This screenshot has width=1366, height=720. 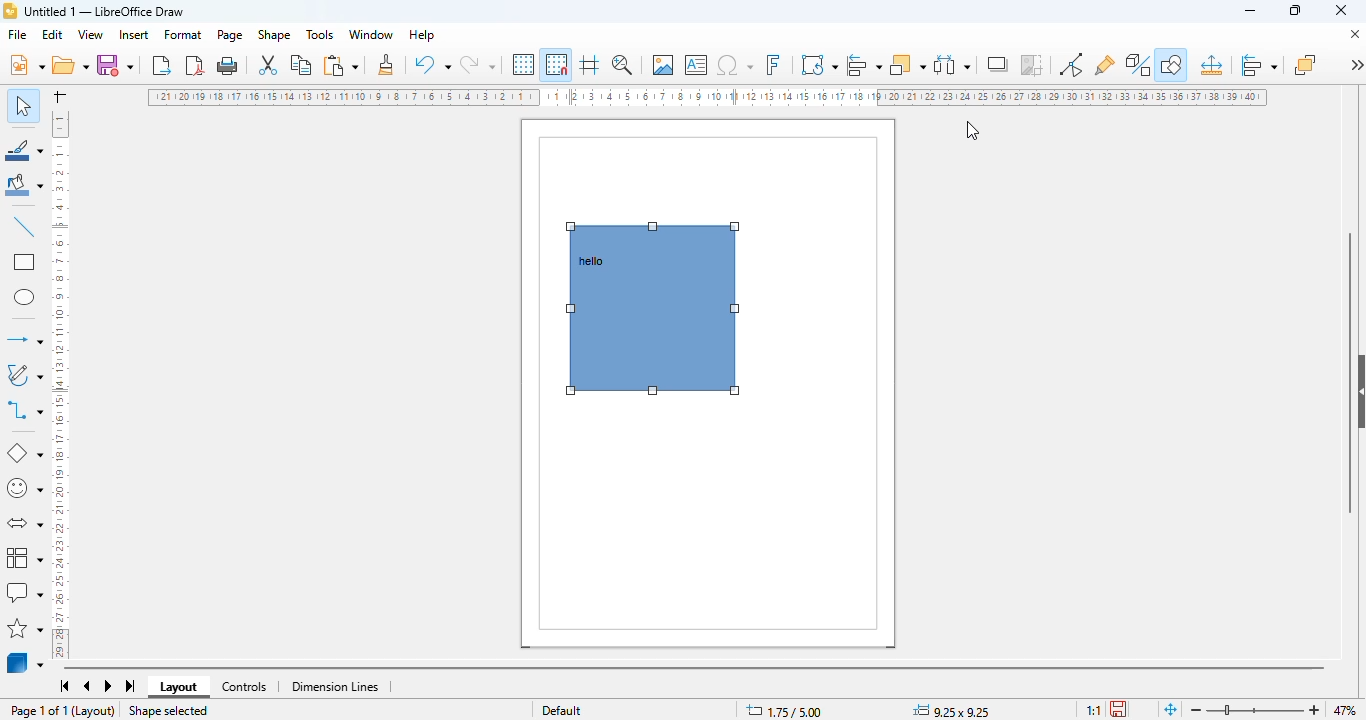 I want to click on maximize, so click(x=1295, y=10).